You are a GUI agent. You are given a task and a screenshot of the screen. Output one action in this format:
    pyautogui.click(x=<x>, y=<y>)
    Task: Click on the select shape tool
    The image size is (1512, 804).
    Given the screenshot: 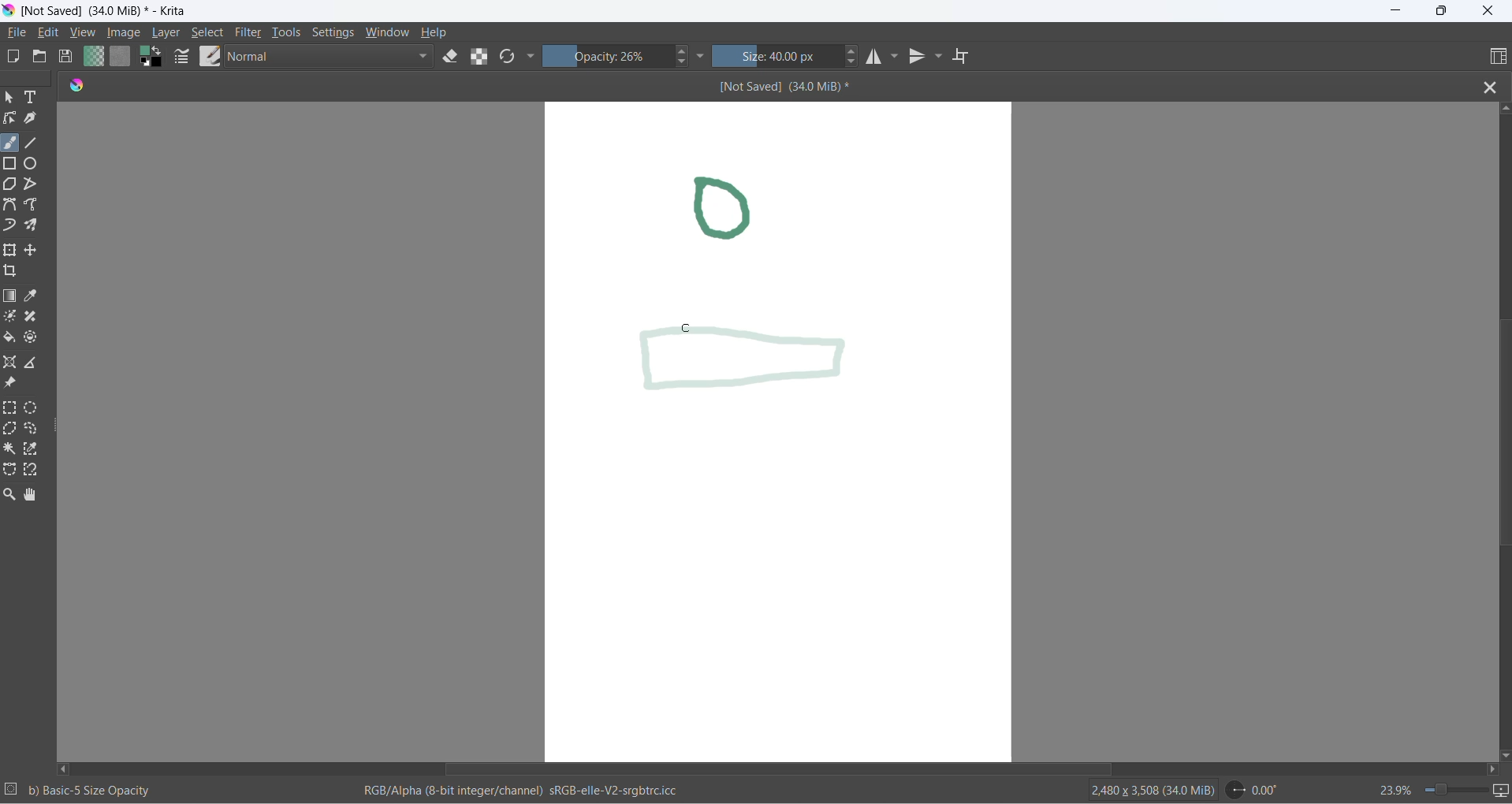 What is the action you would take?
    pyautogui.click(x=12, y=99)
    